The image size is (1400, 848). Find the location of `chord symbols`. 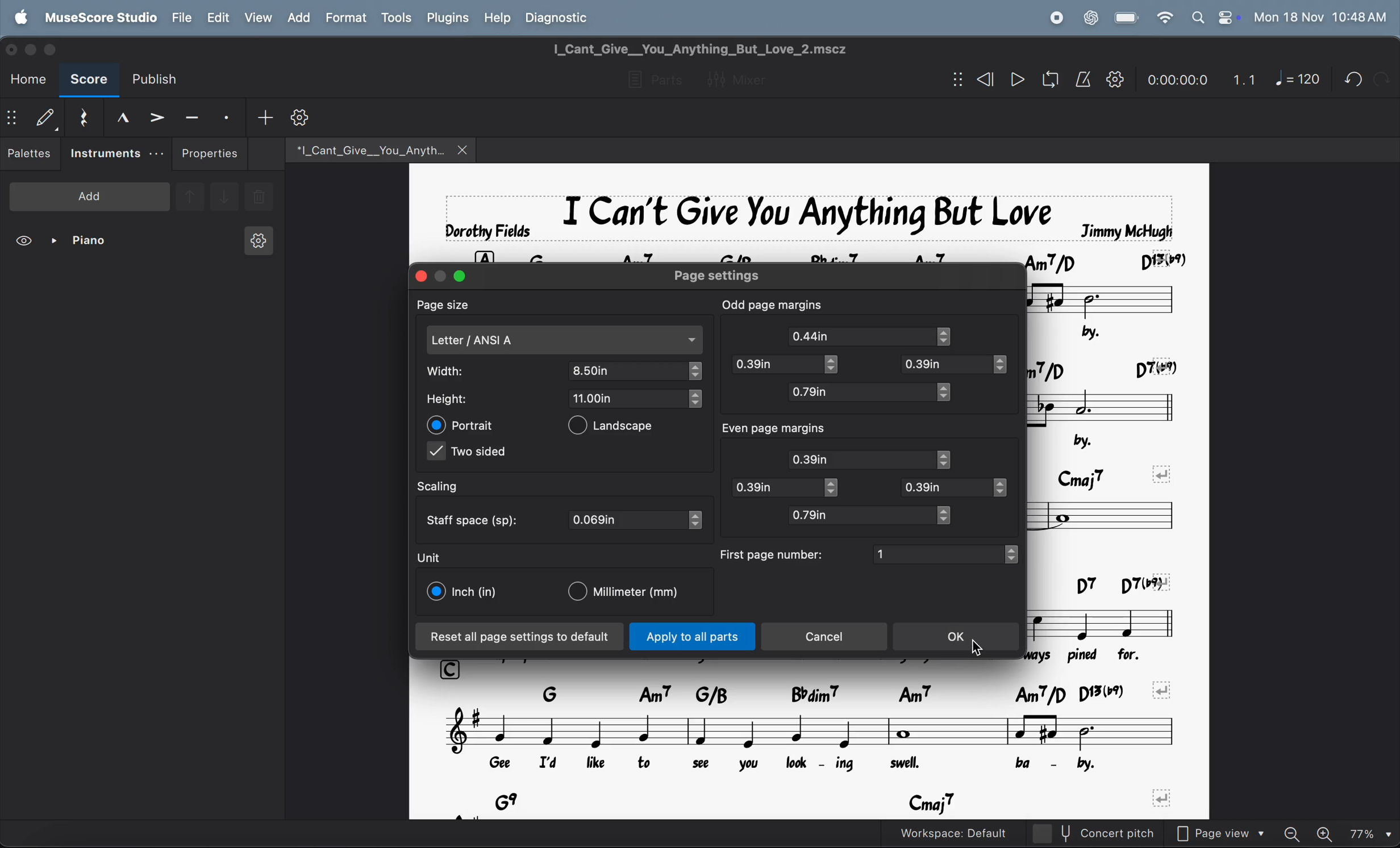

chord symbols is located at coordinates (835, 691).